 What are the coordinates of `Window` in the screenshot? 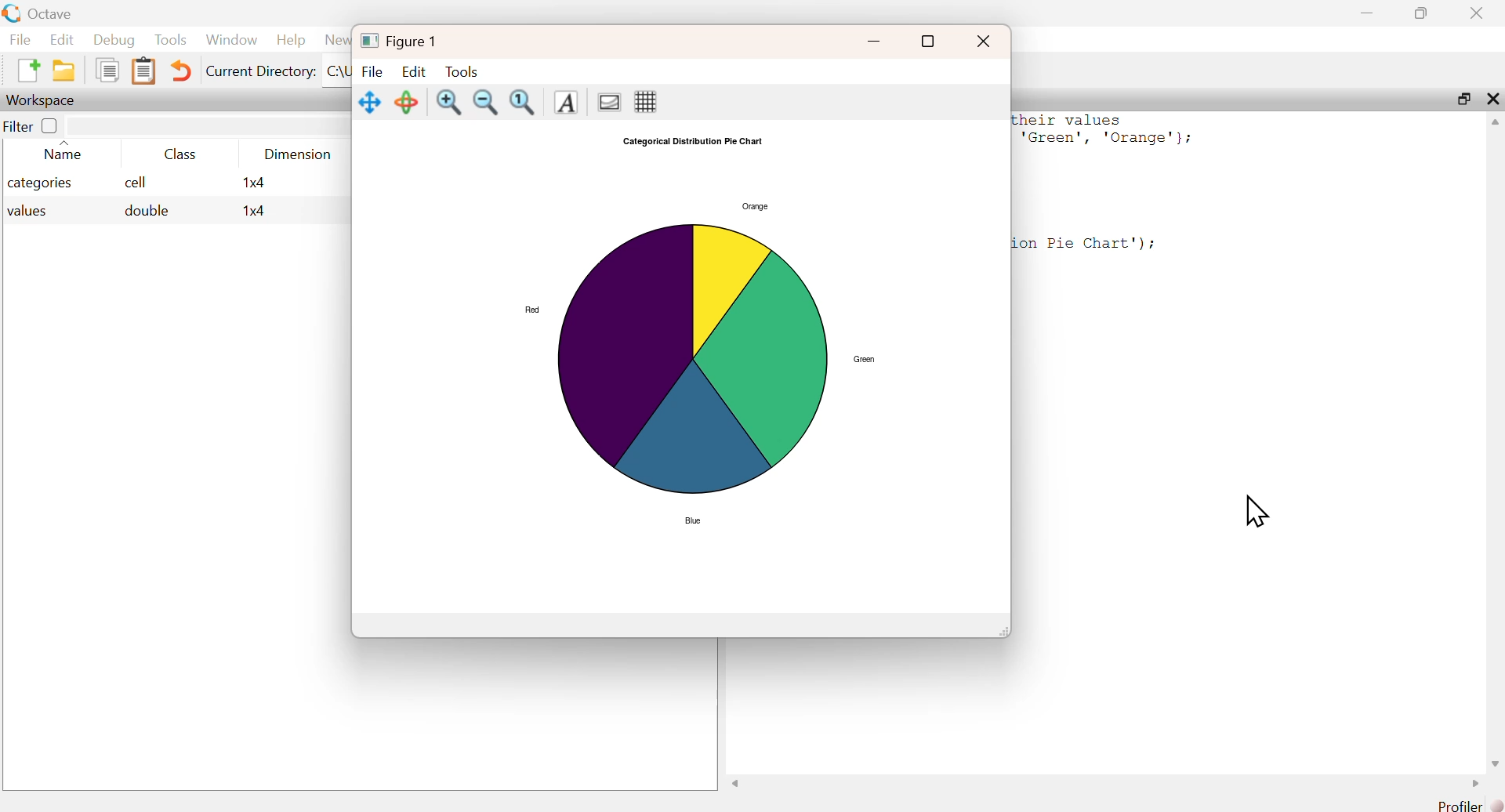 It's located at (232, 40).